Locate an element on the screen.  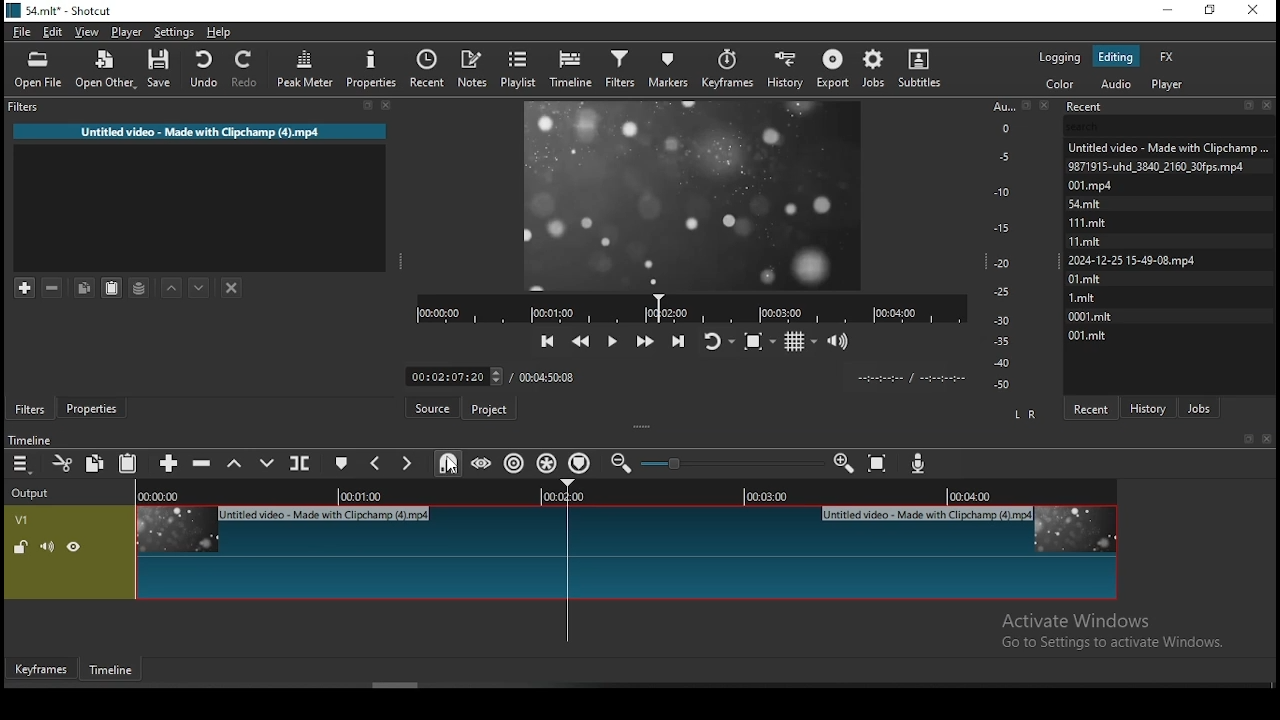
(un)mute is located at coordinates (49, 544).